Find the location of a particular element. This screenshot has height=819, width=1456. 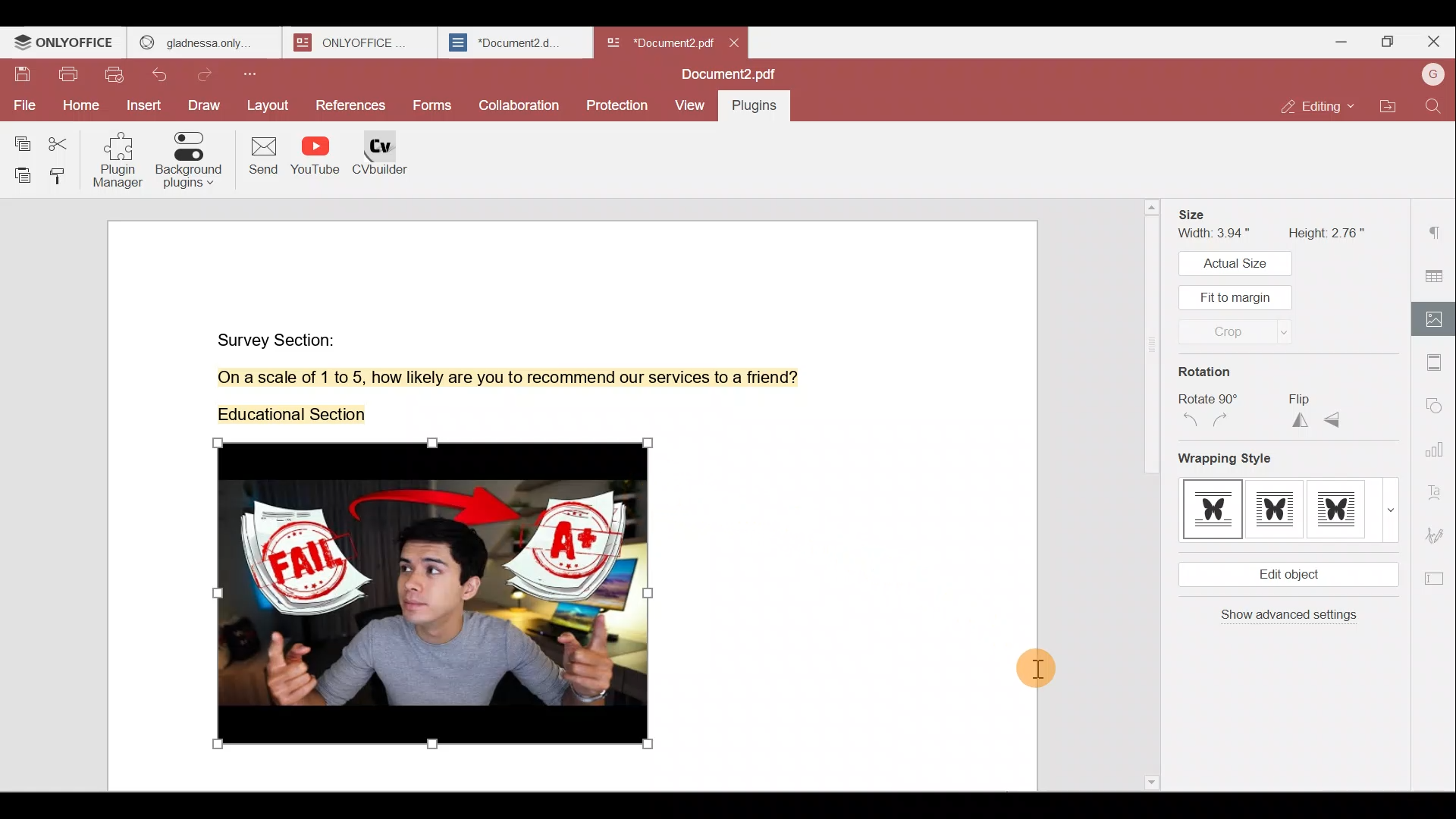

Image settings is located at coordinates (1439, 322).